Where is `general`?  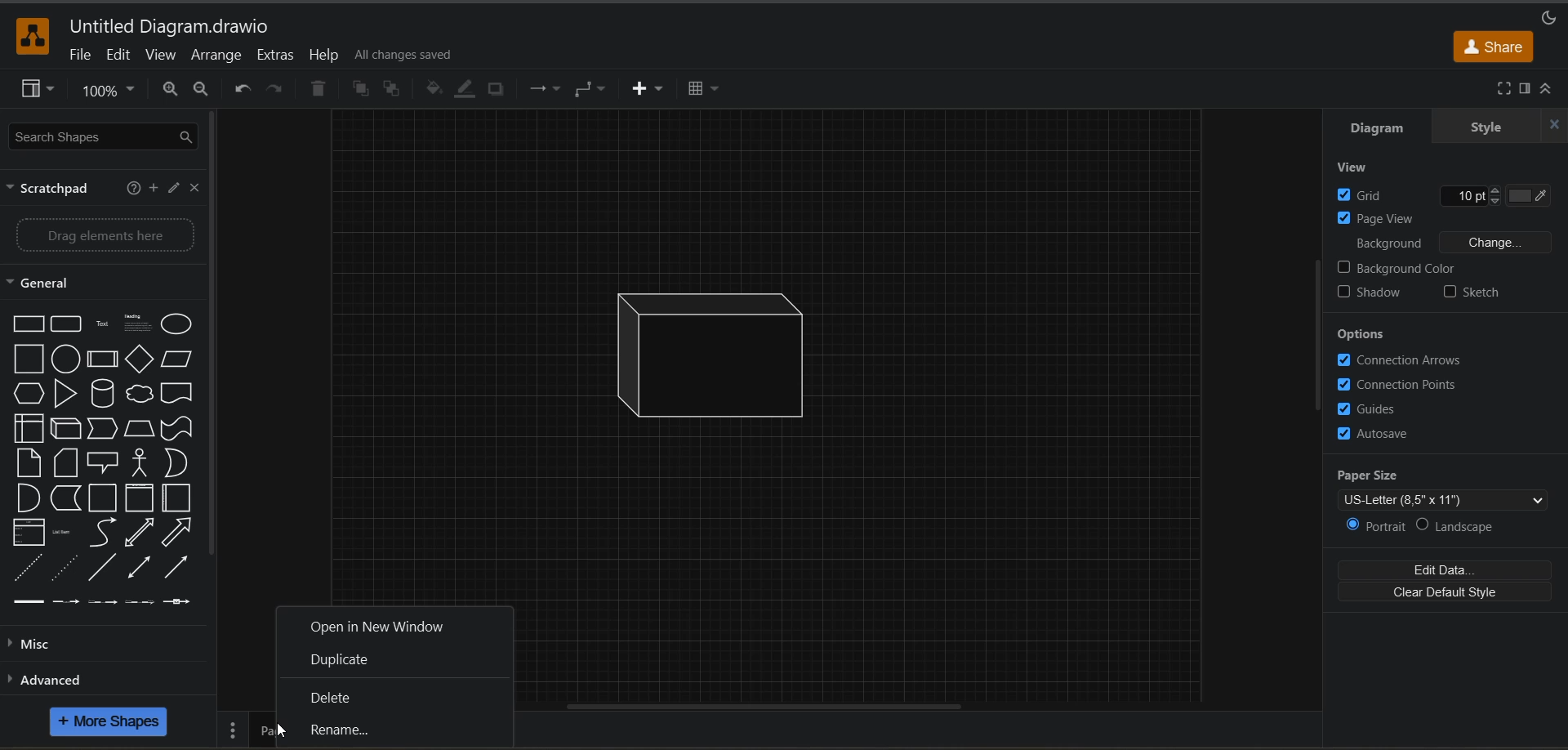 general is located at coordinates (55, 283).